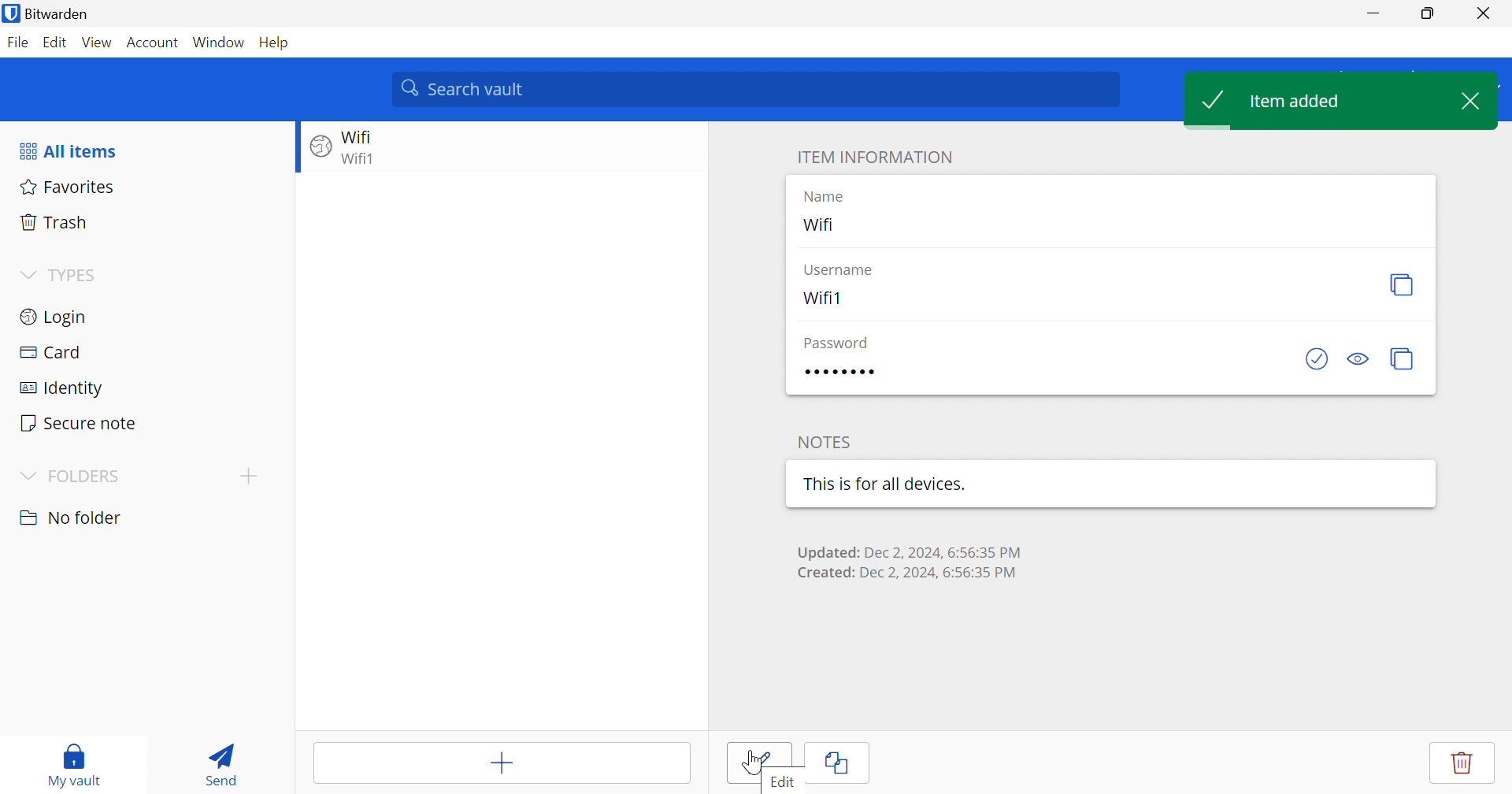  What do you see at coordinates (1429, 13) in the screenshot?
I see `Restore Down` at bounding box center [1429, 13].